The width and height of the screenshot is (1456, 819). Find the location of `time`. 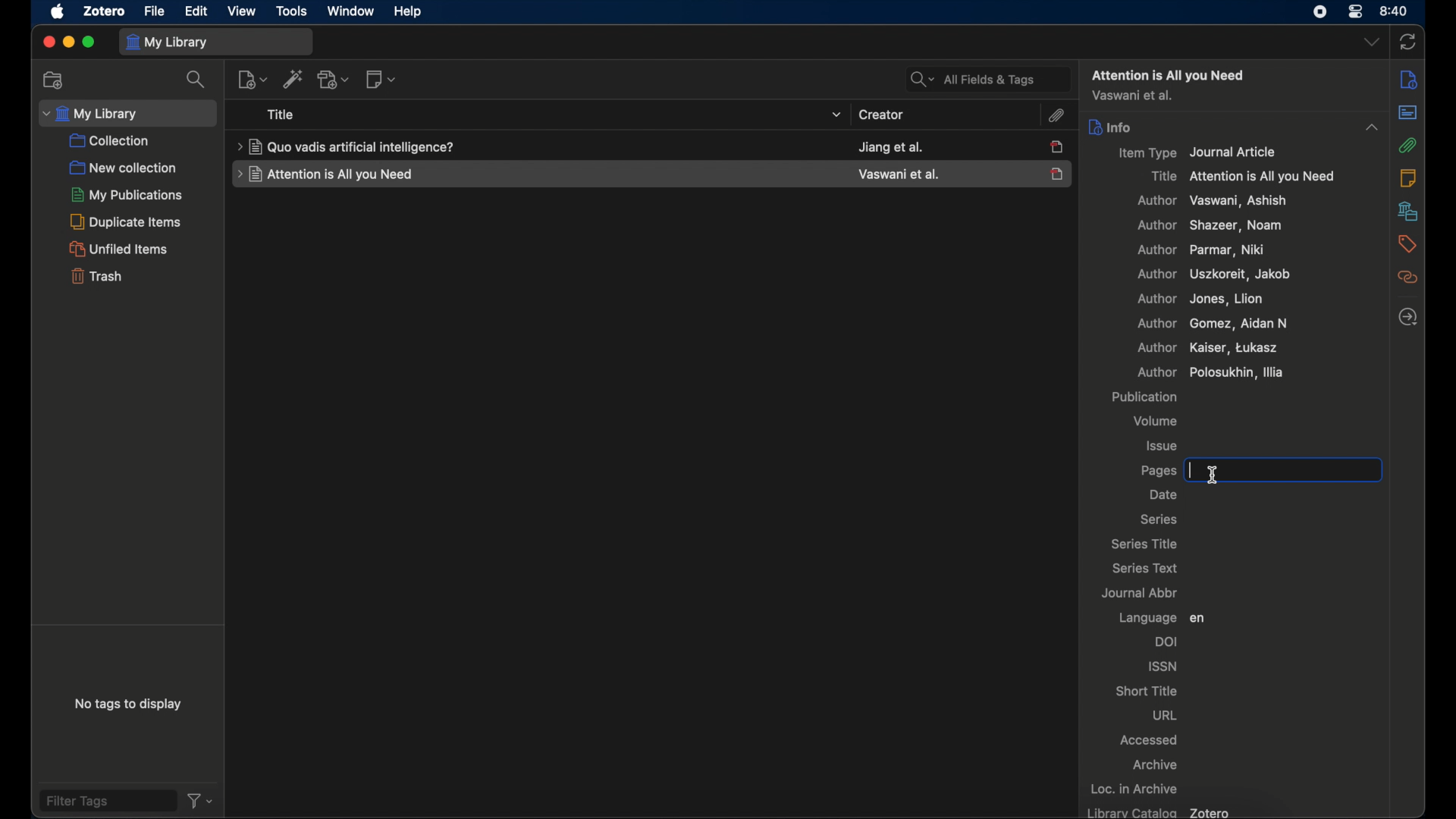

time is located at coordinates (1396, 11).